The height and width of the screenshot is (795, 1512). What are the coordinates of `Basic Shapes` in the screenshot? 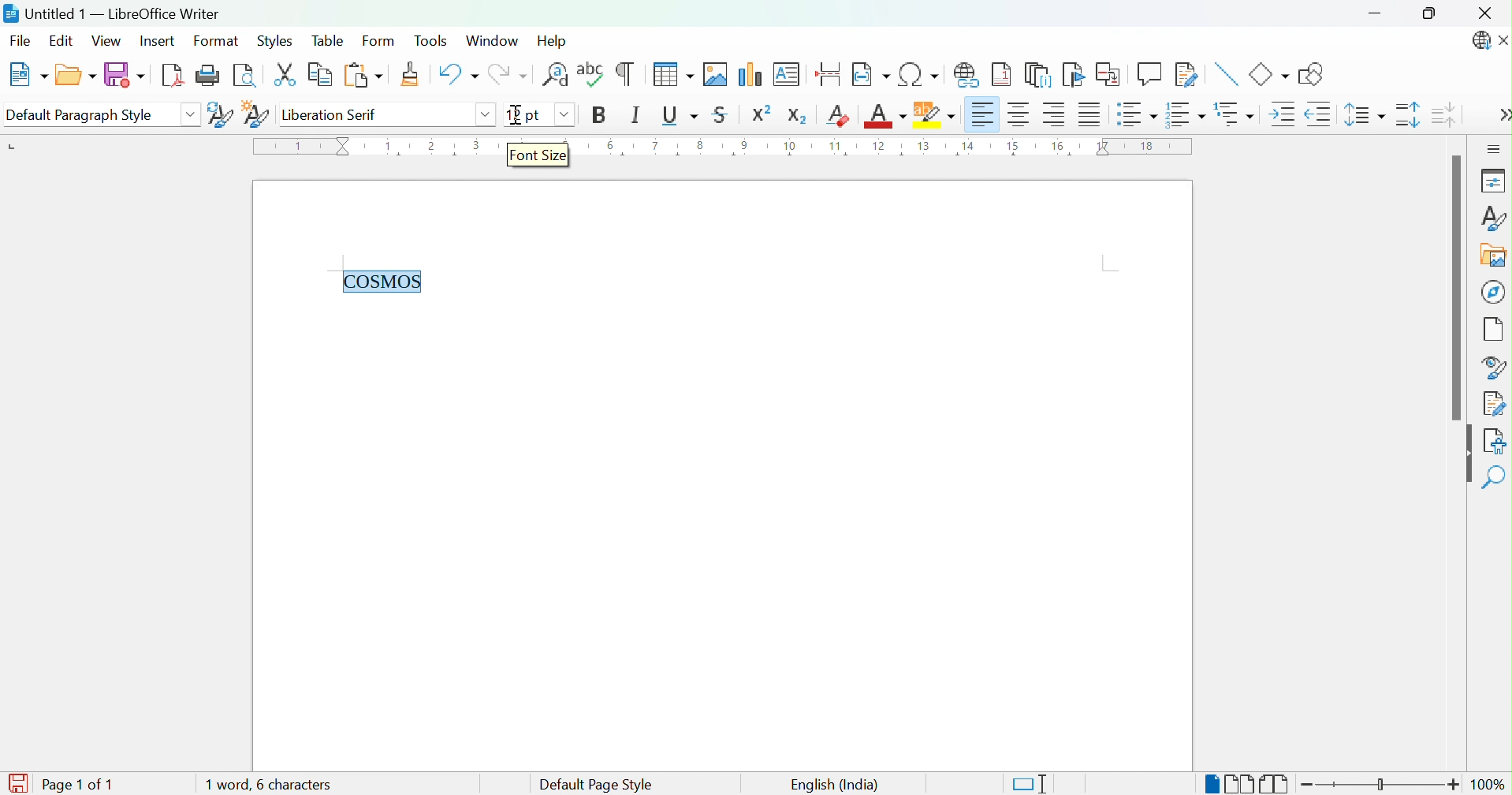 It's located at (1268, 74).